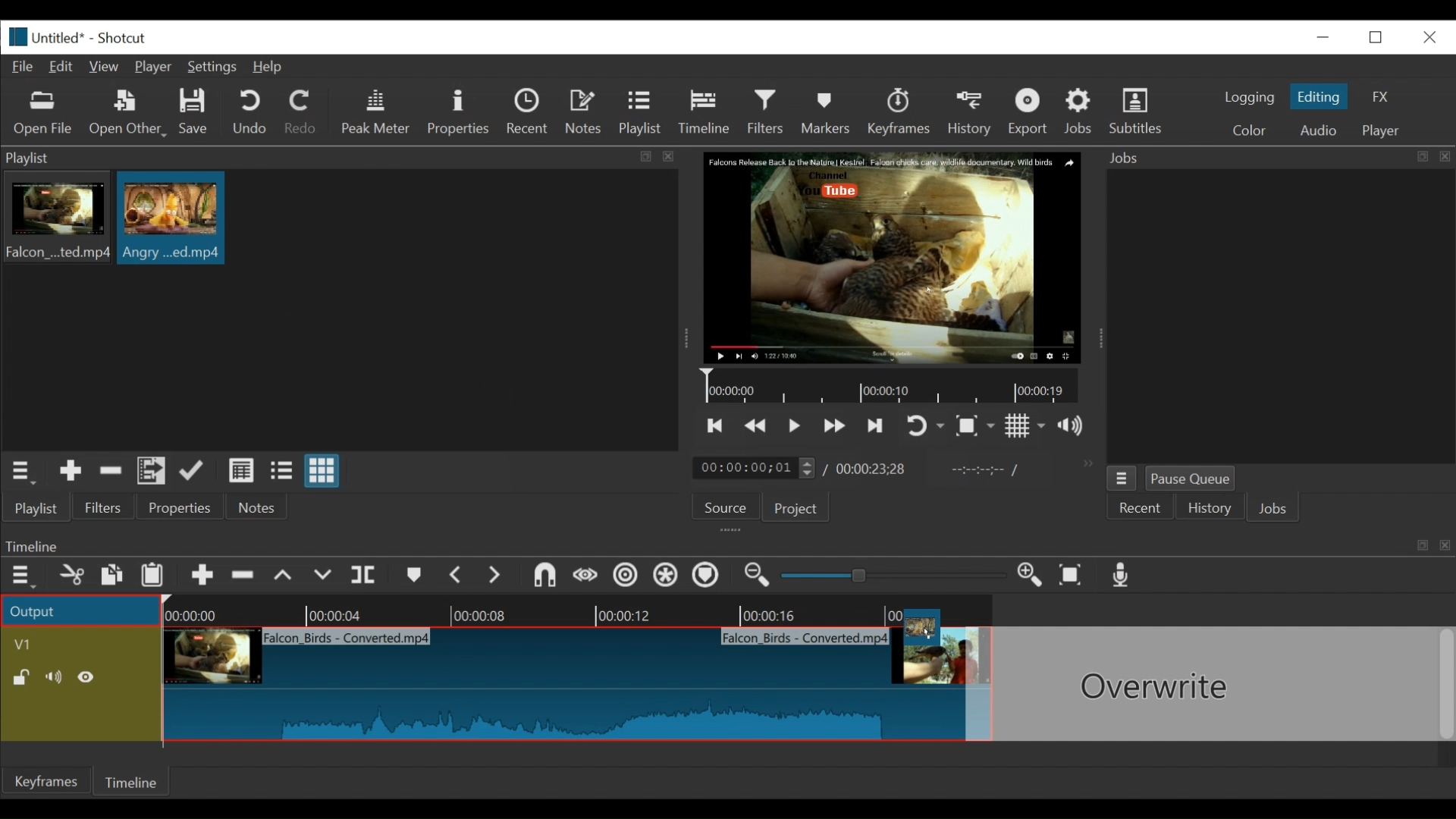 Image resolution: width=1456 pixels, height=819 pixels. I want to click on Edit, so click(64, 65).